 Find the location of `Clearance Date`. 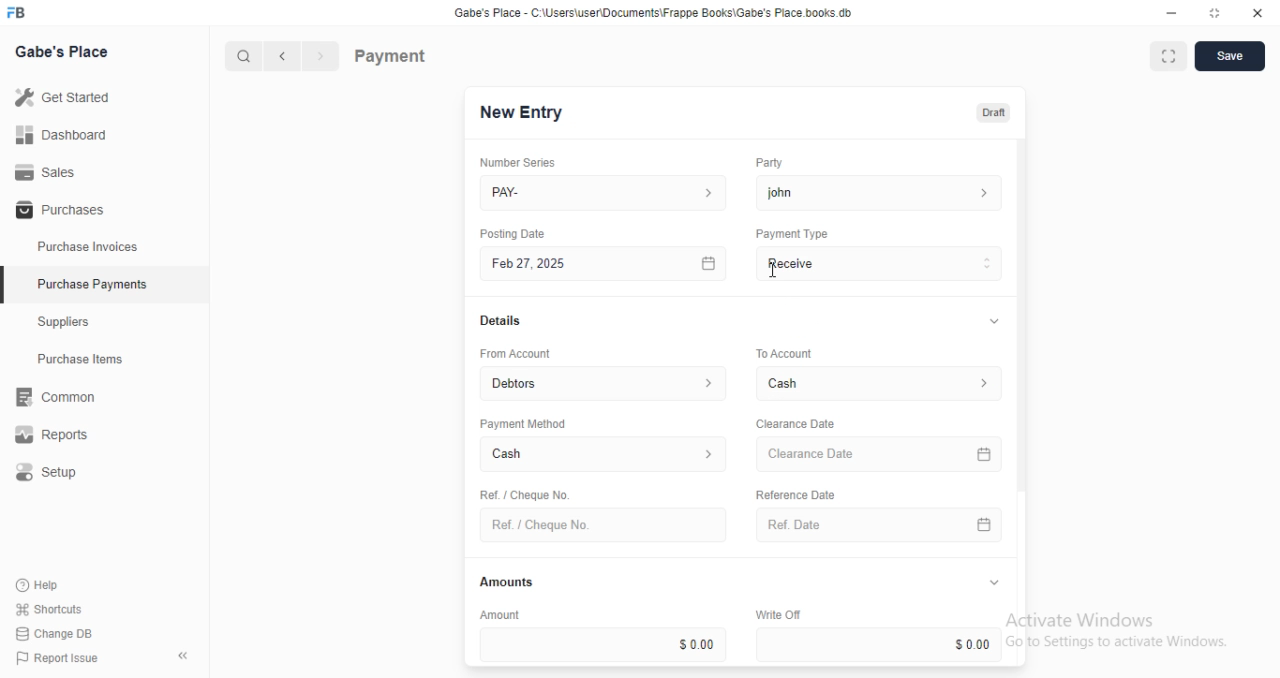

Clearance Date is located at coordinates (794, 424).